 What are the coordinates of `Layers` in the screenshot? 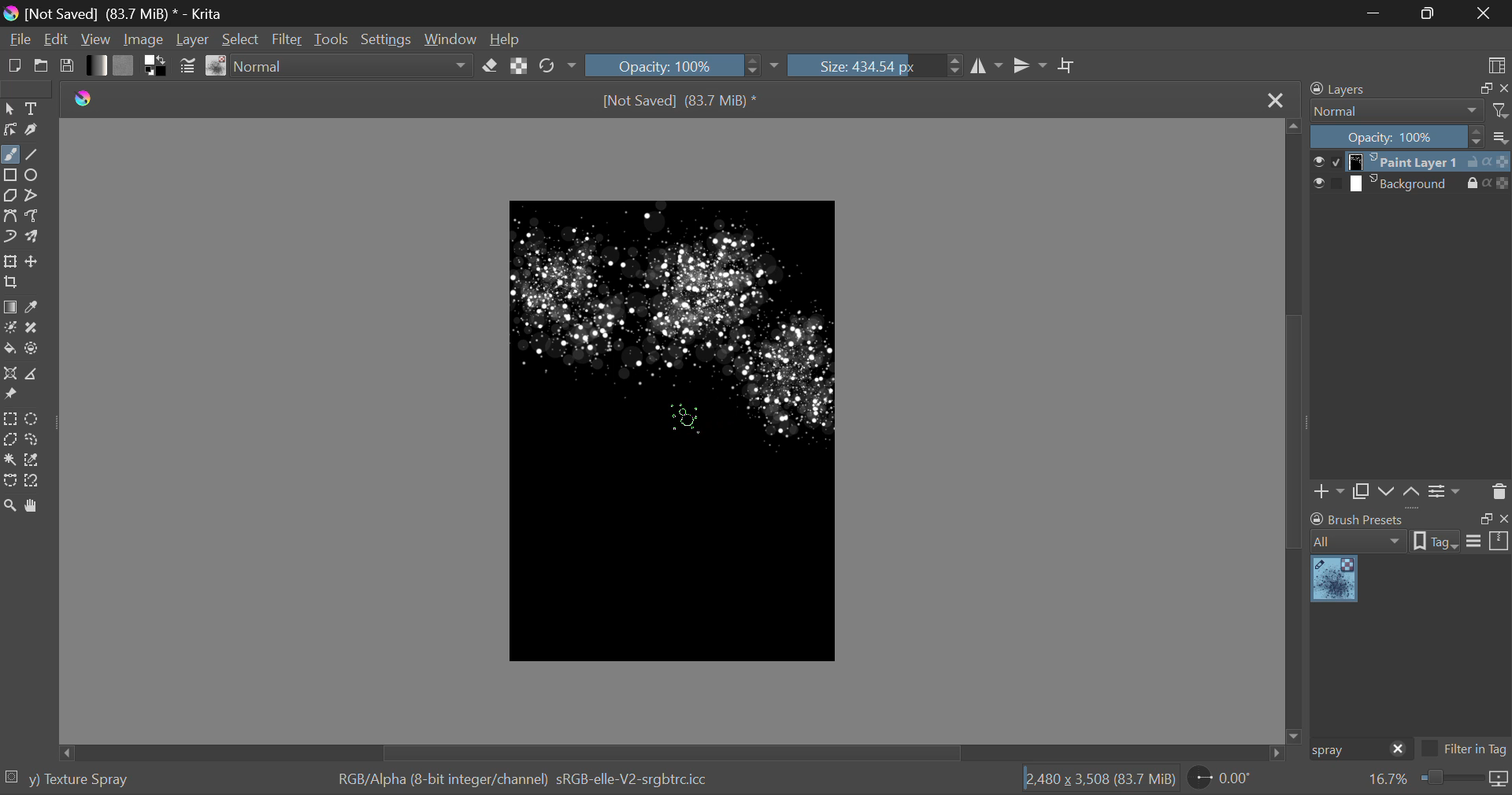 It's located at (1347, 88).